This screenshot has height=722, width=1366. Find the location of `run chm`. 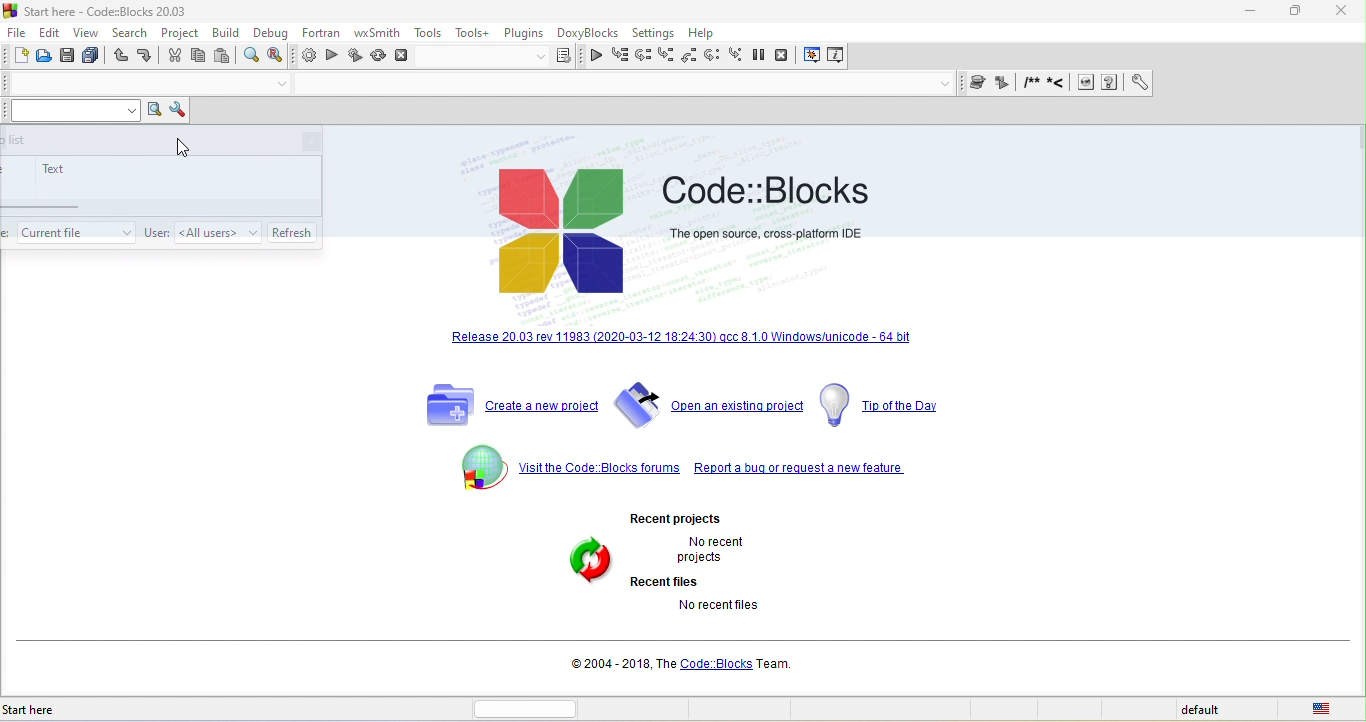

run chm is located at coordinates (1112, 83).